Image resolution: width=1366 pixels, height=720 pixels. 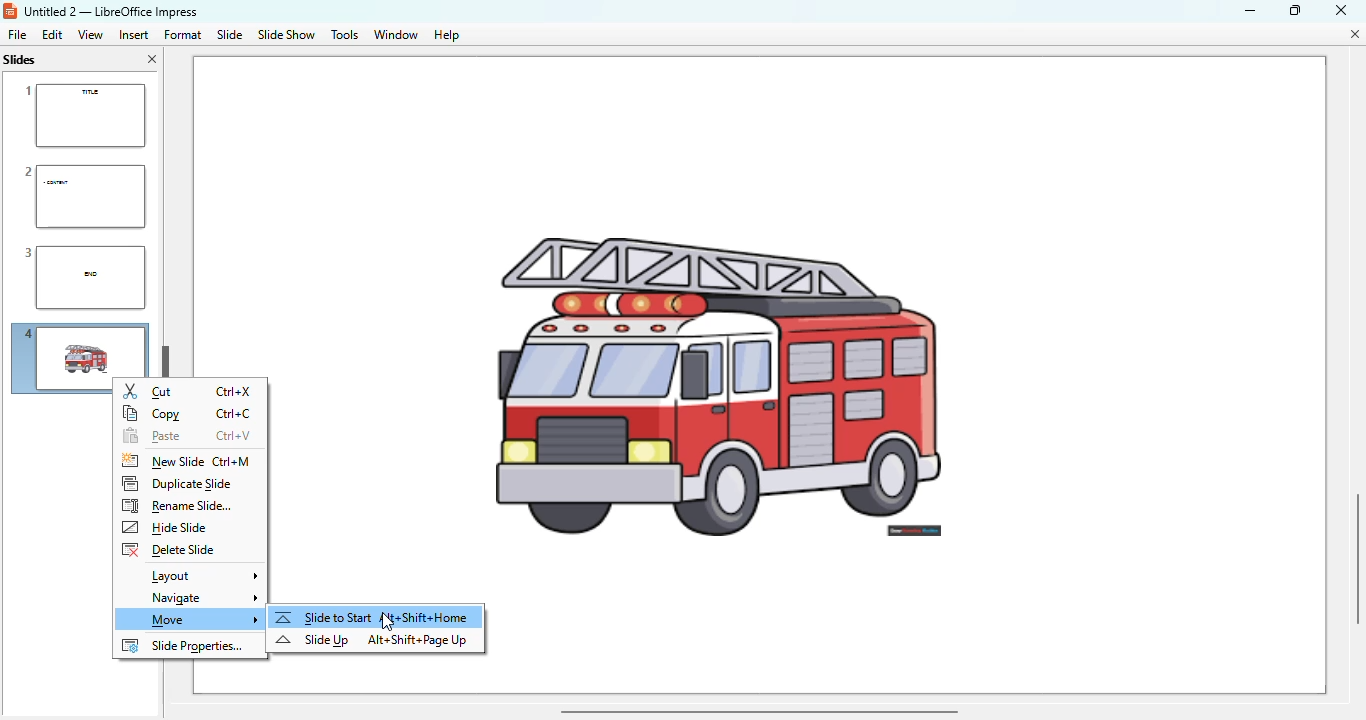 What do you see at coordinates (168, 550) in the screenshot?
I see `delete slide` at bounding box center [168, 550].